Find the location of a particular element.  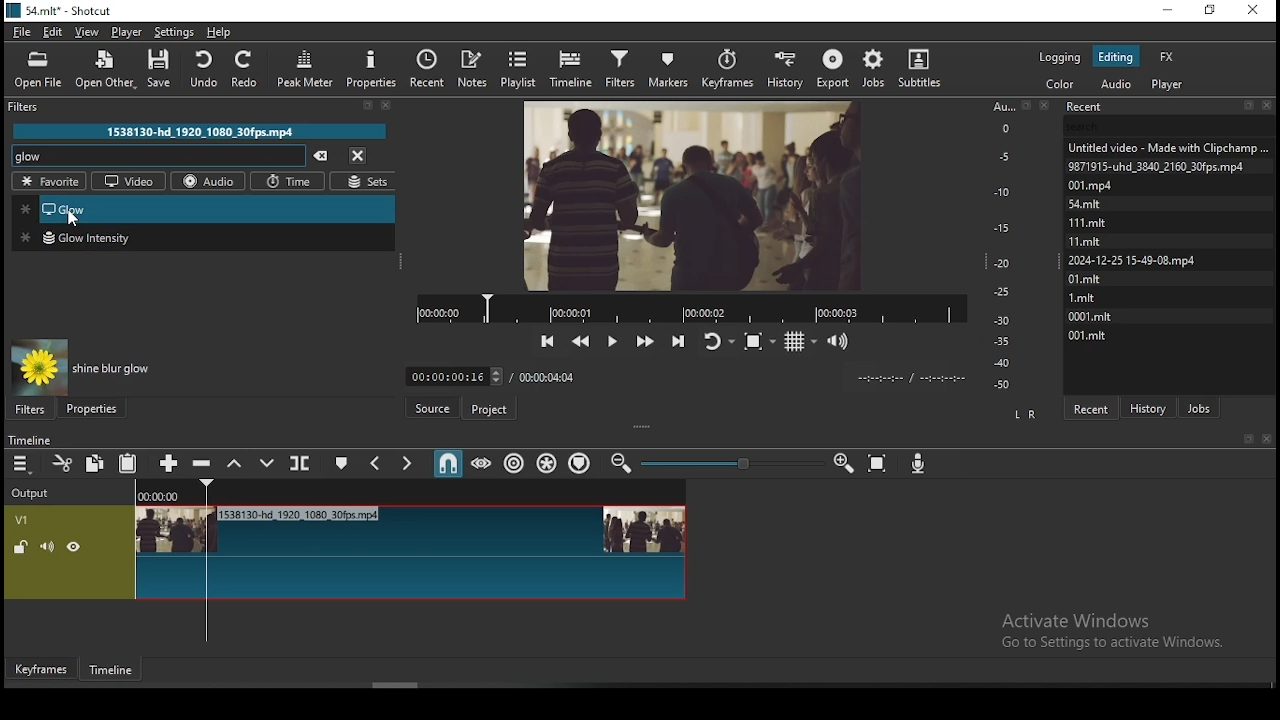

ripple delete is located at coordinates (201, 462).